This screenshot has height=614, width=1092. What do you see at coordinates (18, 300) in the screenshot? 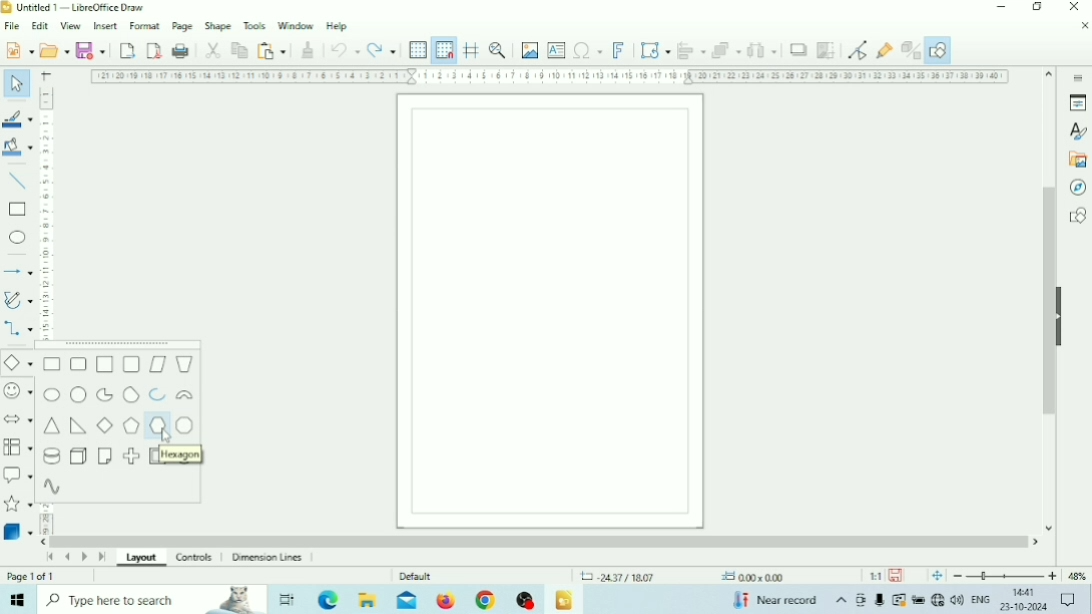
I see `Curves and Polygons` at bounding box center [18, 300].